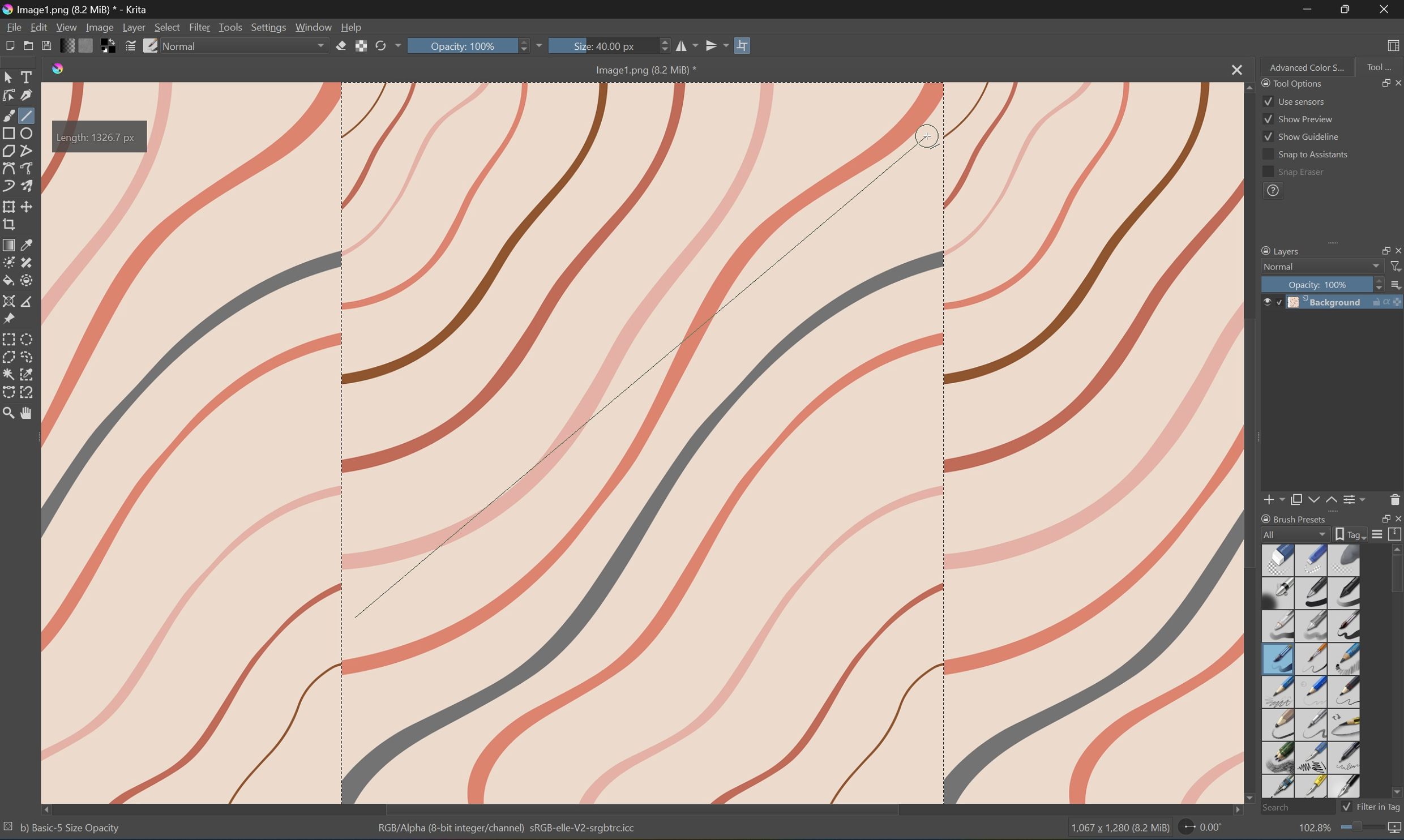  I want to click on Scroll Bar, so click(1326, 233).